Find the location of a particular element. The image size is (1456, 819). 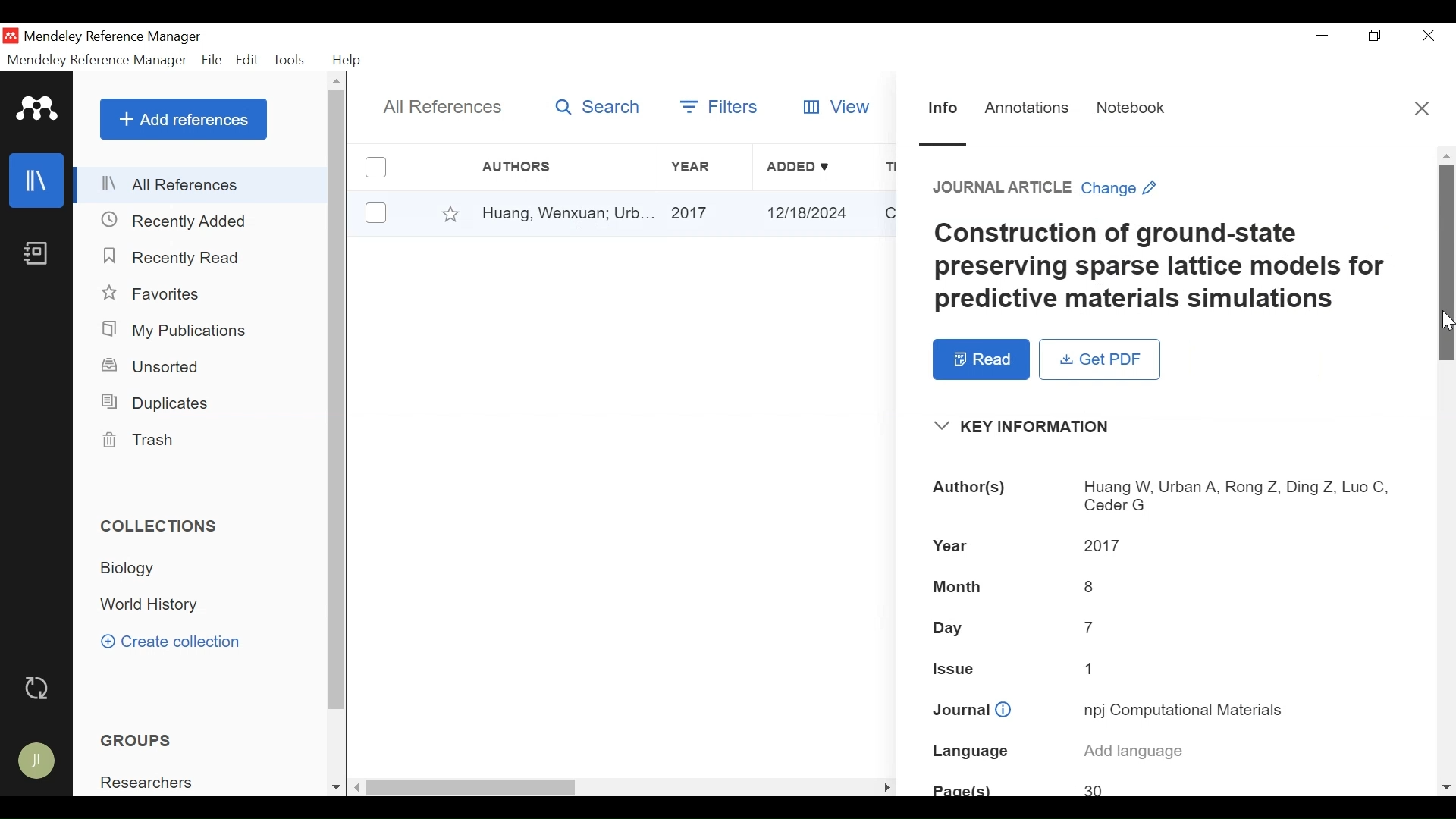

(un)select is located at coordinates (375, 212).